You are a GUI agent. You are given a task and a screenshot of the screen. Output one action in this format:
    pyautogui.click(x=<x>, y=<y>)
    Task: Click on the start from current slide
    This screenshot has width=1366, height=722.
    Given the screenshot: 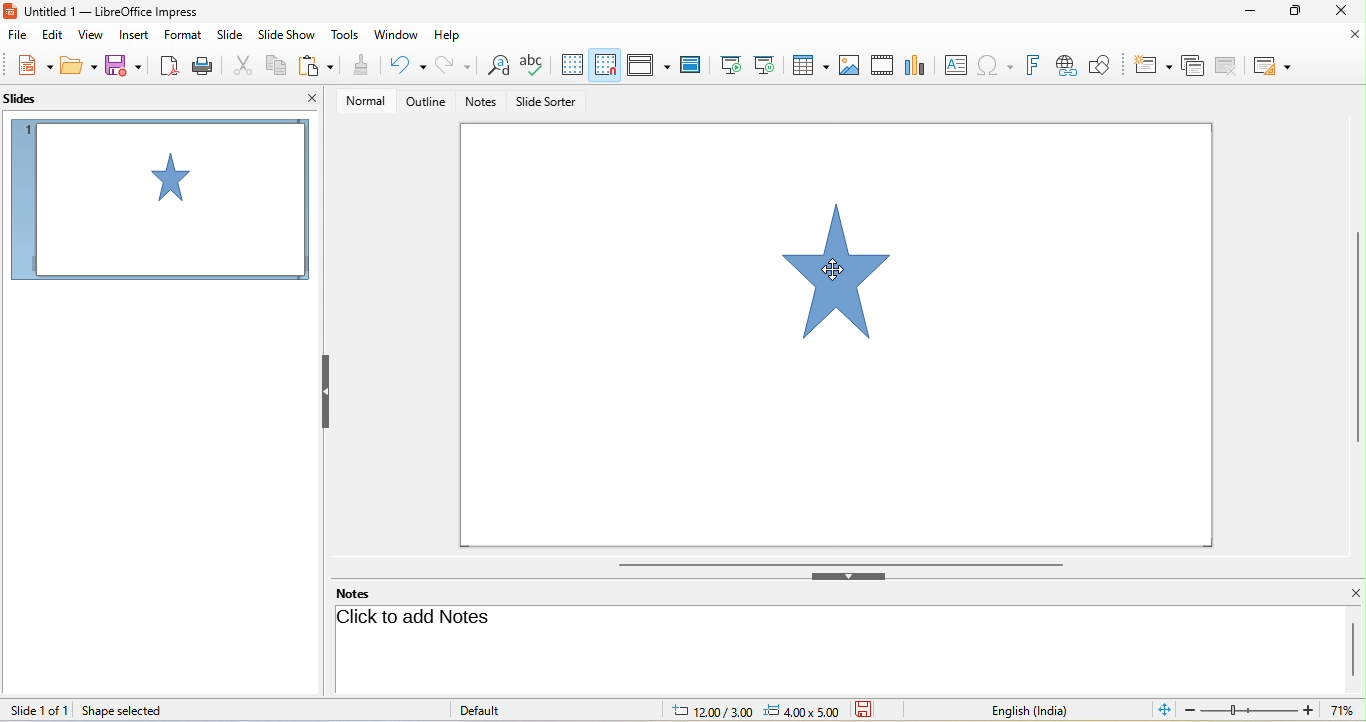 What is the action you would take?
    pyautogui.click(x=765, y=65)
    